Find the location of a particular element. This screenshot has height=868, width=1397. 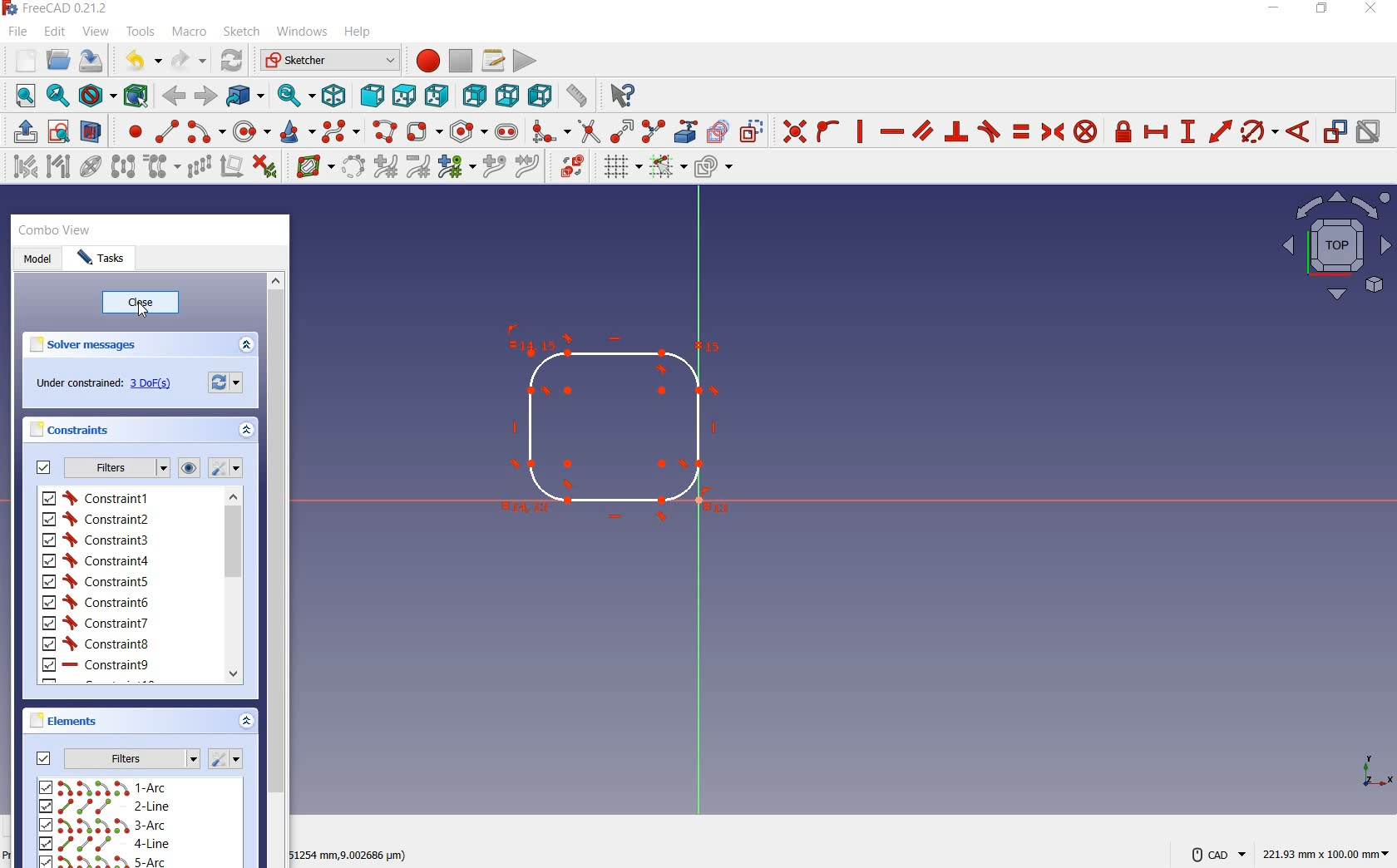

switch virtual space is located at coordinates (568, 166).